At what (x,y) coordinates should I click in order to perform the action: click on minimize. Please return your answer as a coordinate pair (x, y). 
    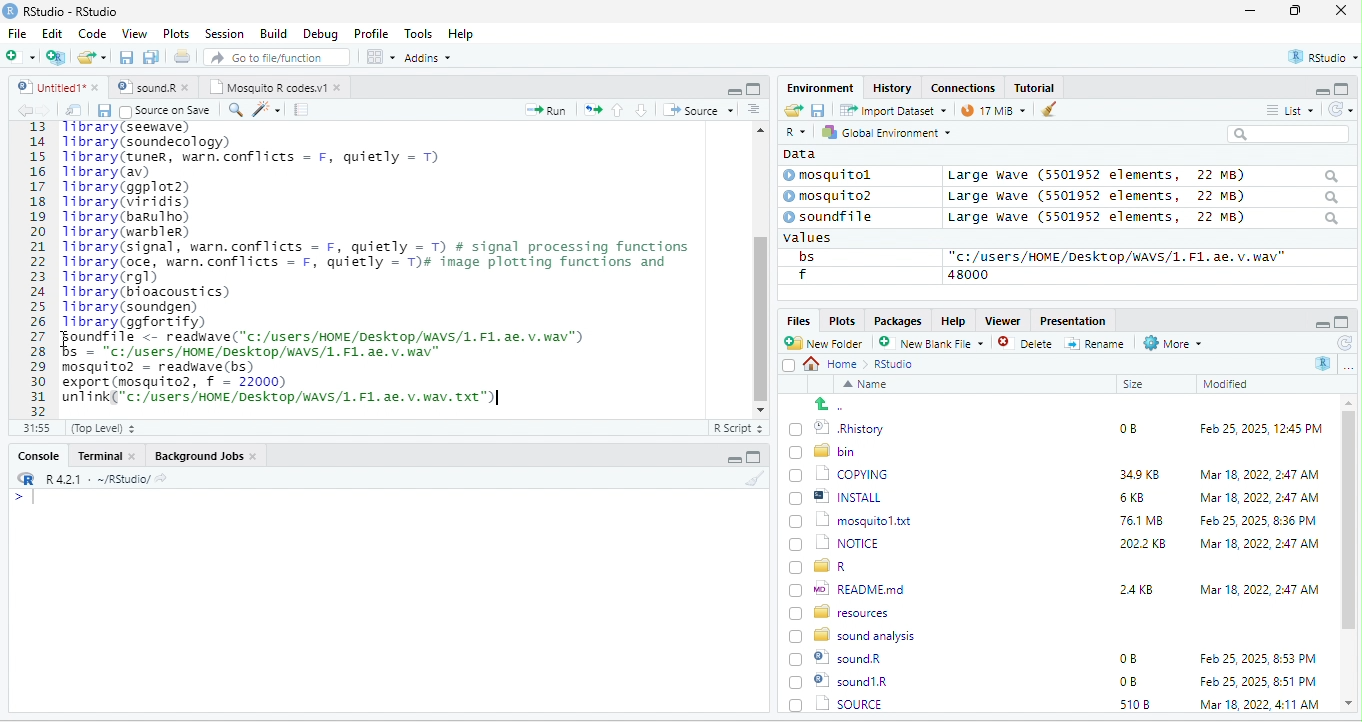
    Looking at the image, I should click on (733, 90).